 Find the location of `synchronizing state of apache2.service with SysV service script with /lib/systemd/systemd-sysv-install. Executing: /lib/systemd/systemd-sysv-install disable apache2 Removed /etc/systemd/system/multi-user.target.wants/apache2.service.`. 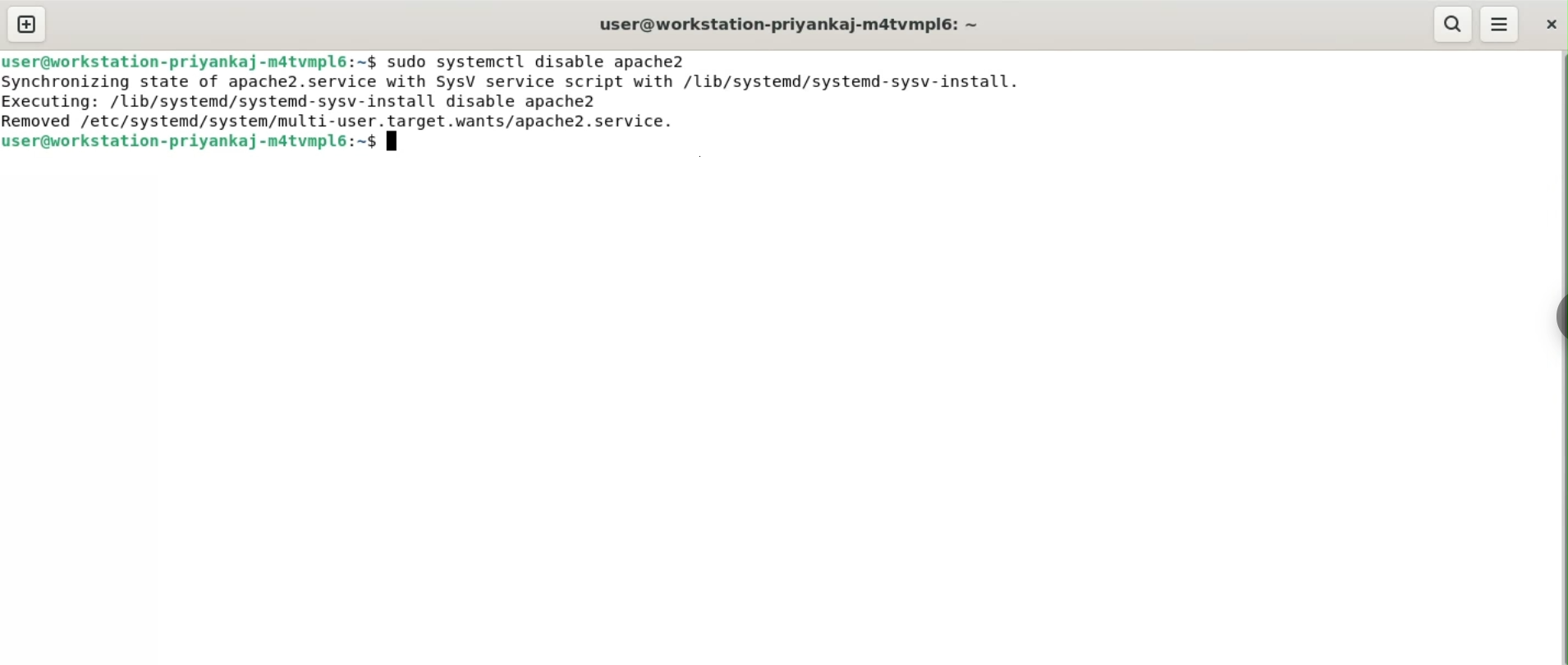

synchronizing state of apache2.service with SysV service script with /lib/systemd/systemd-sysv-install. Executing: /lib/systemd/systemd-sysv-install disable apache2 Removed /etc/systemd/system/multi-user.target.wants/apache2.service. is located at coordinates (515, 100).